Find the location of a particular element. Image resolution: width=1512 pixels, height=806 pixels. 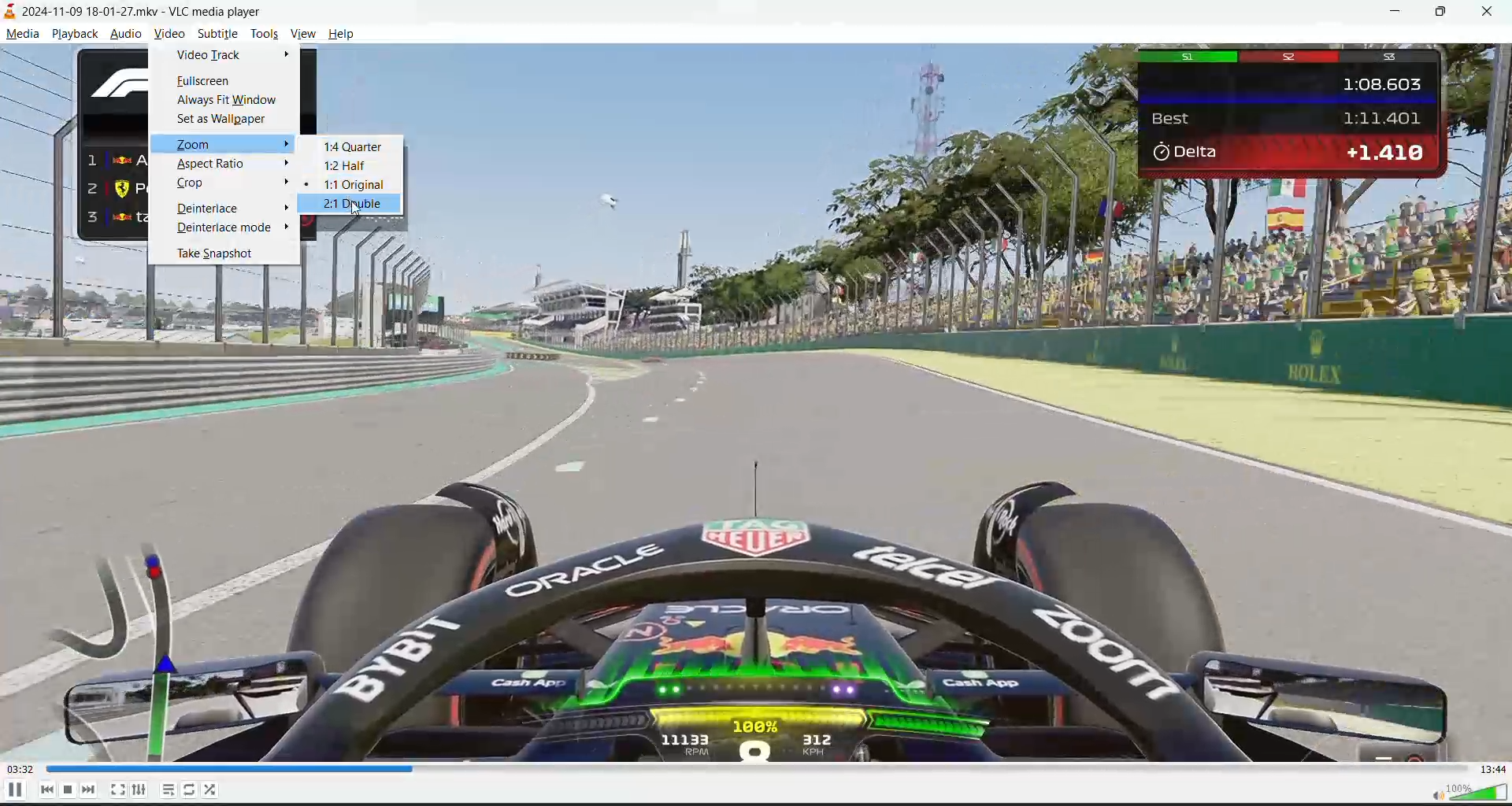

toggle loop is located at coordinates (193, 792).